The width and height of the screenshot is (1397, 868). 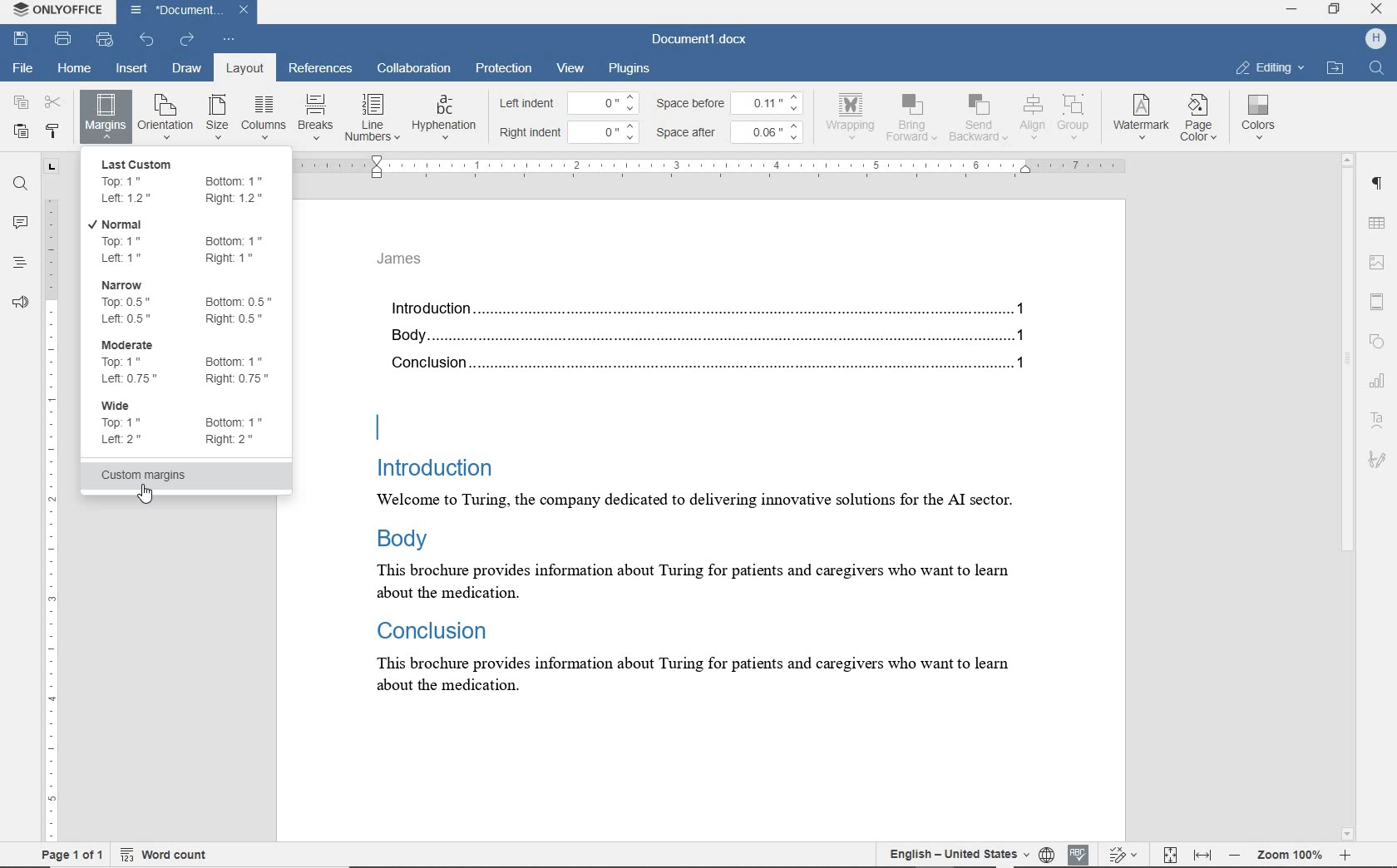 What do you see at coordinates (187, 240) in the screenshot?
I see `normal` at bounding box center [187, 240].